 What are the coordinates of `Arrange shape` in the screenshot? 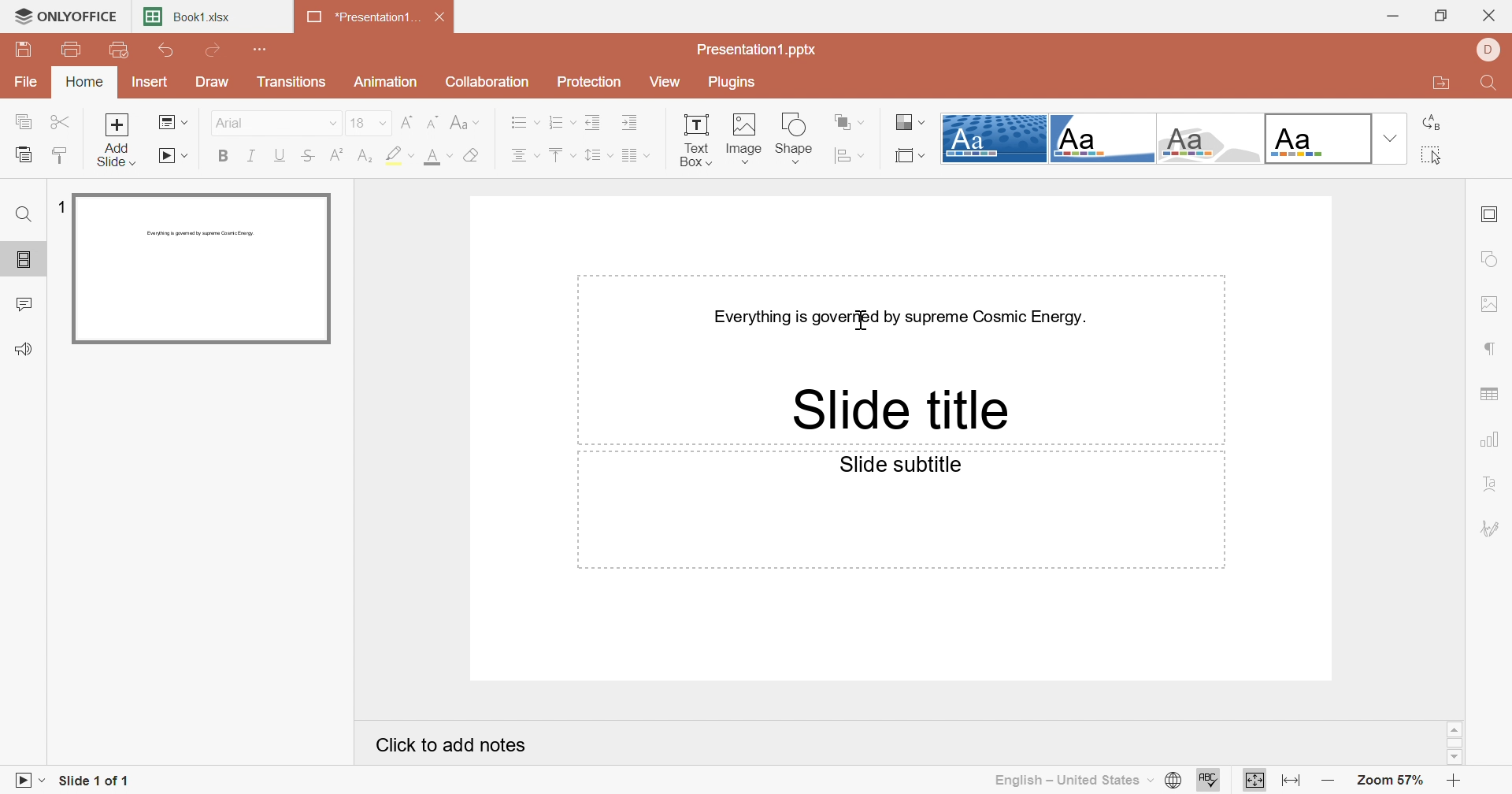 It's located at (849, 120).